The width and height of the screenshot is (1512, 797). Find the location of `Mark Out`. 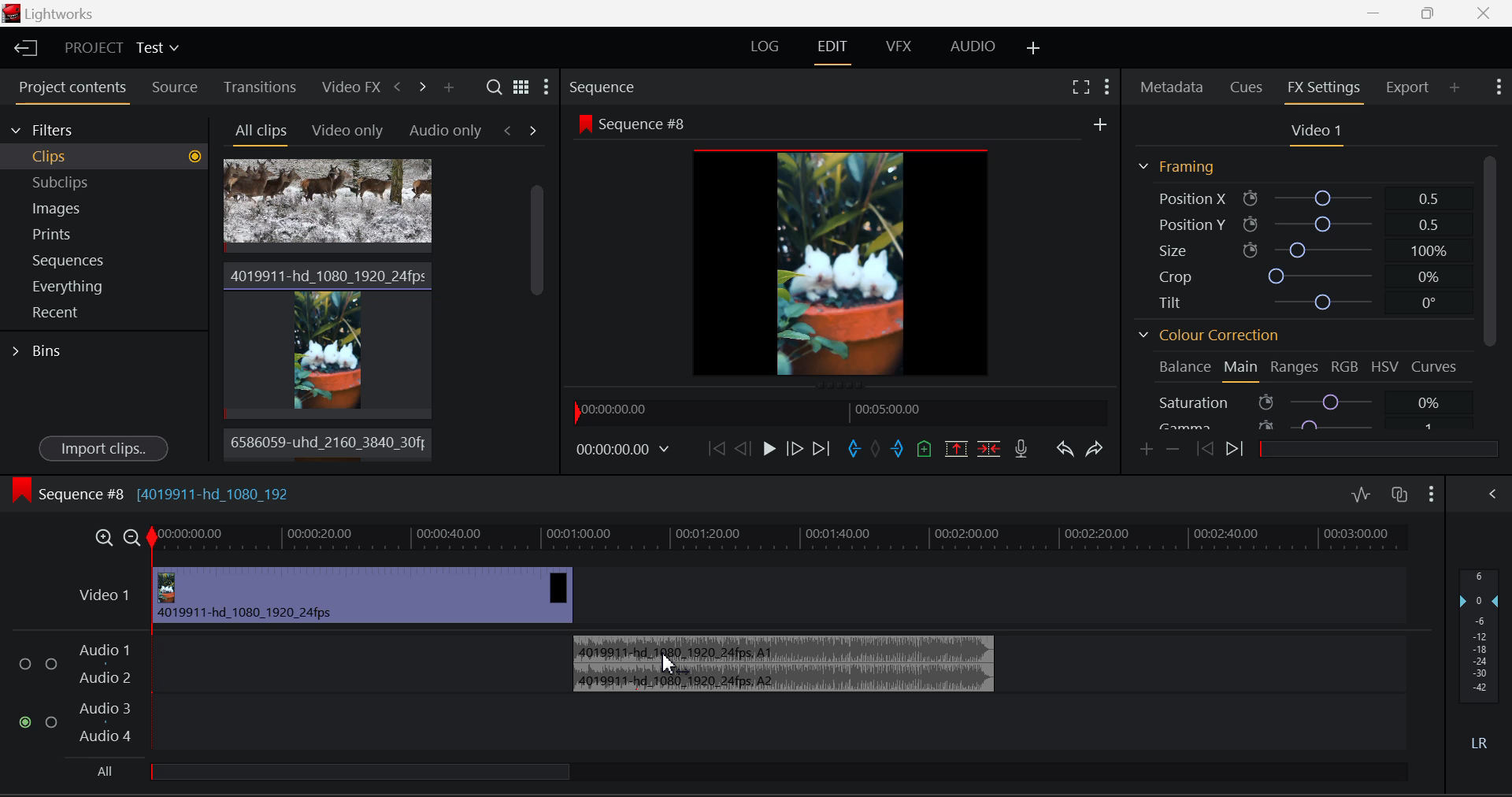

Mark Out is located at coordinates (899, 448).